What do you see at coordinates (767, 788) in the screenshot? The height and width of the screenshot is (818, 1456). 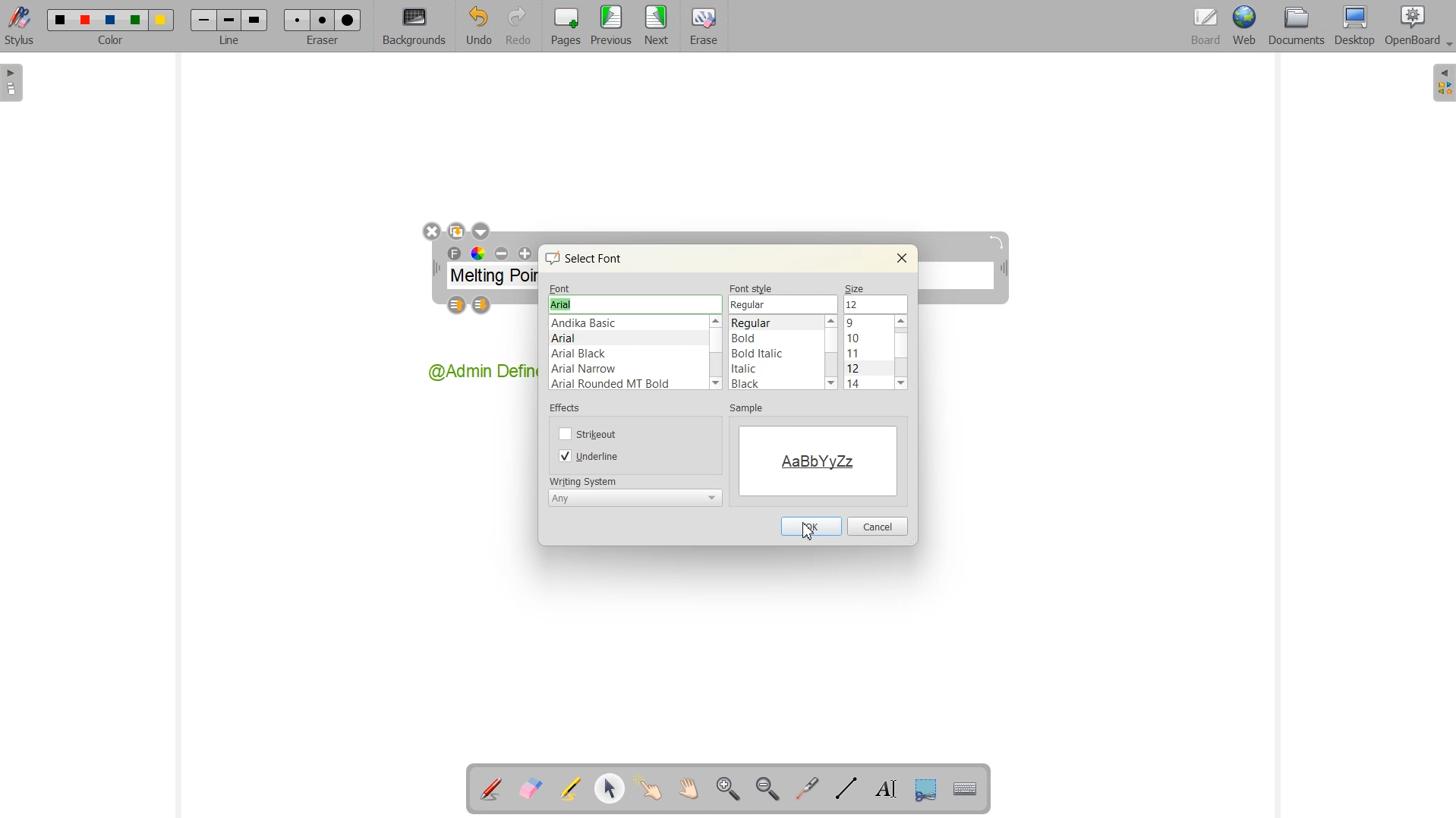 I see `Zoom Out` at bounding box center [767, 788].